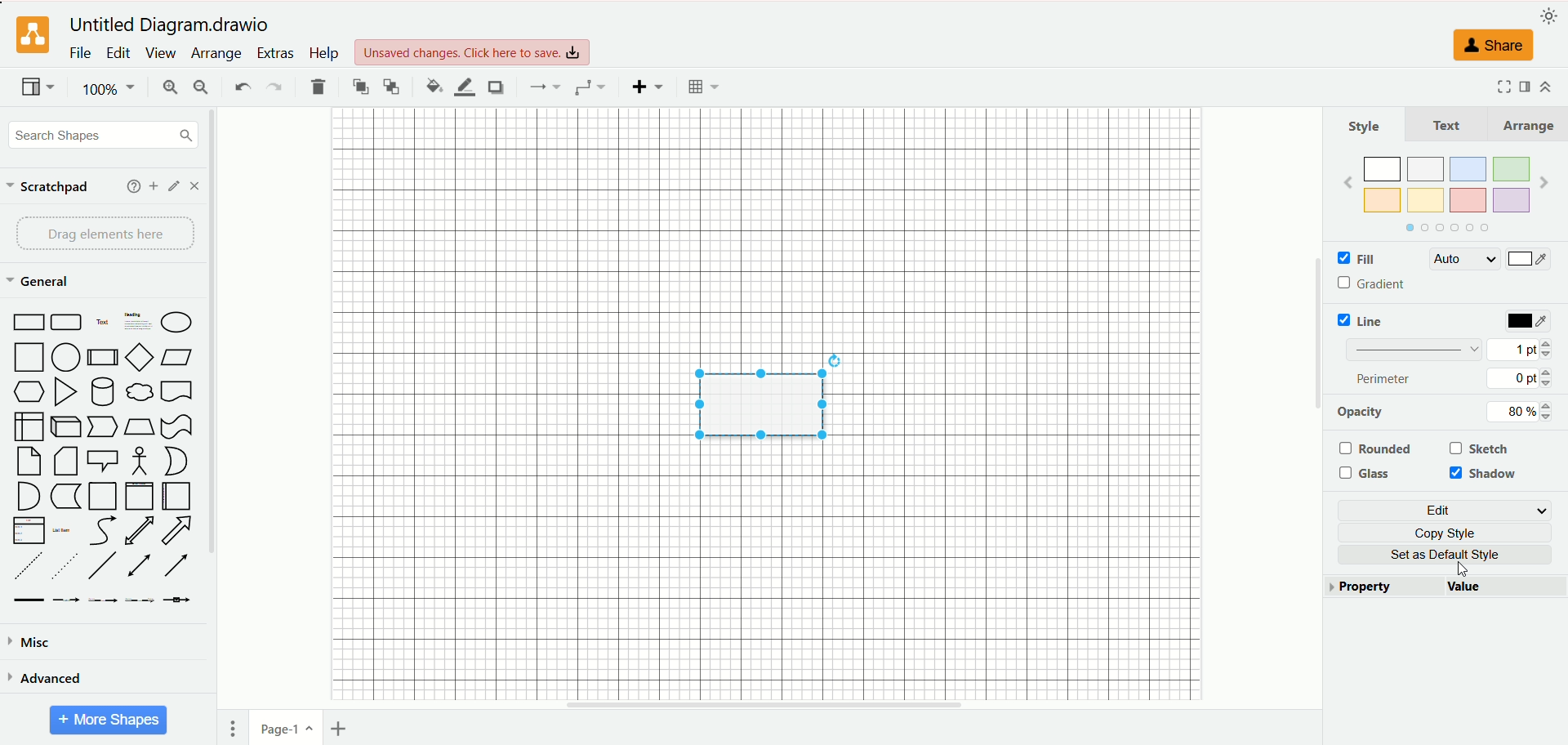  Describe the element at coordinates (1316, 409) in the screenshot. I see `vertical scroll bar` at that location.